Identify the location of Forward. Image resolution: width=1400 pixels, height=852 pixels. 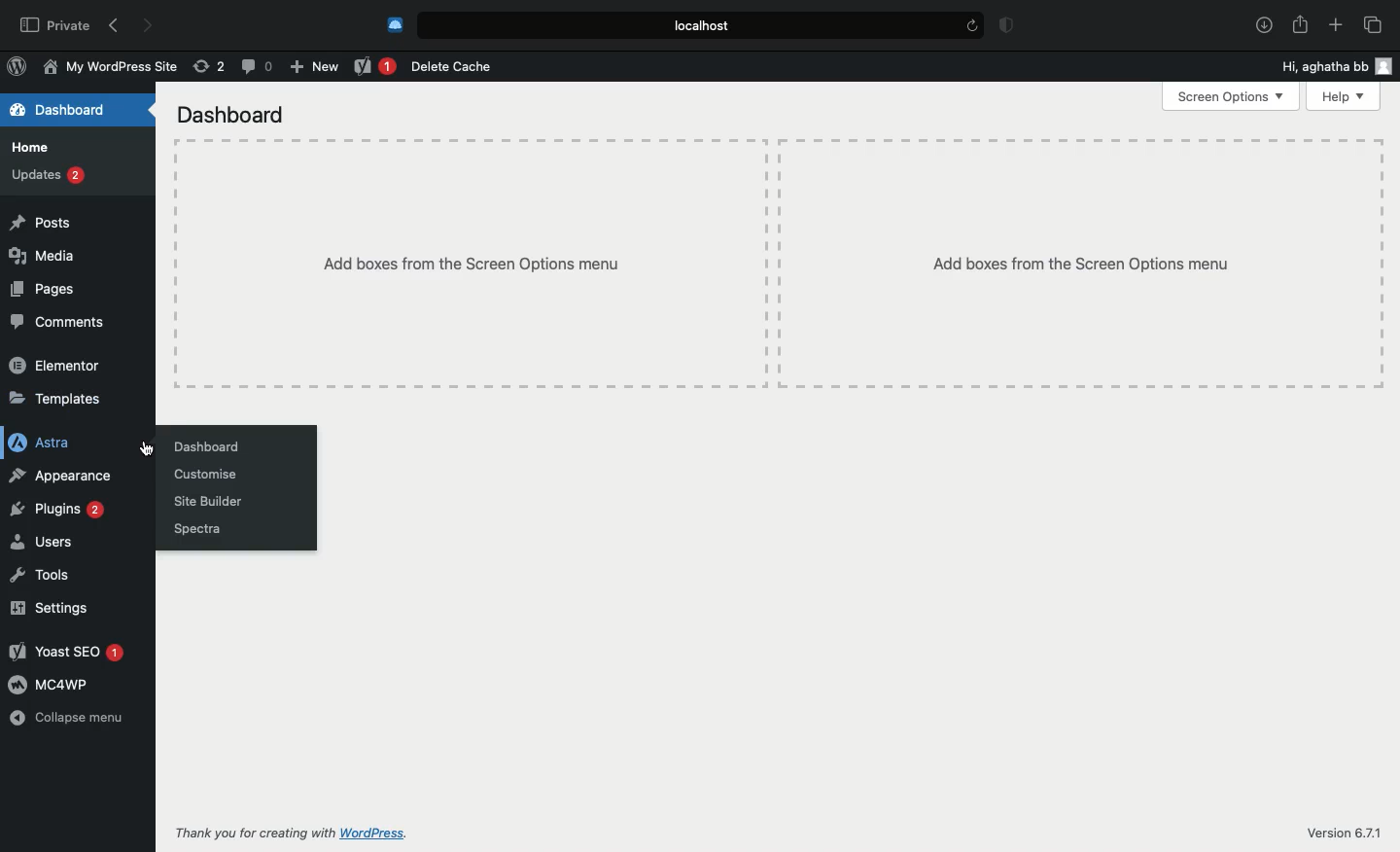
(151, 25).